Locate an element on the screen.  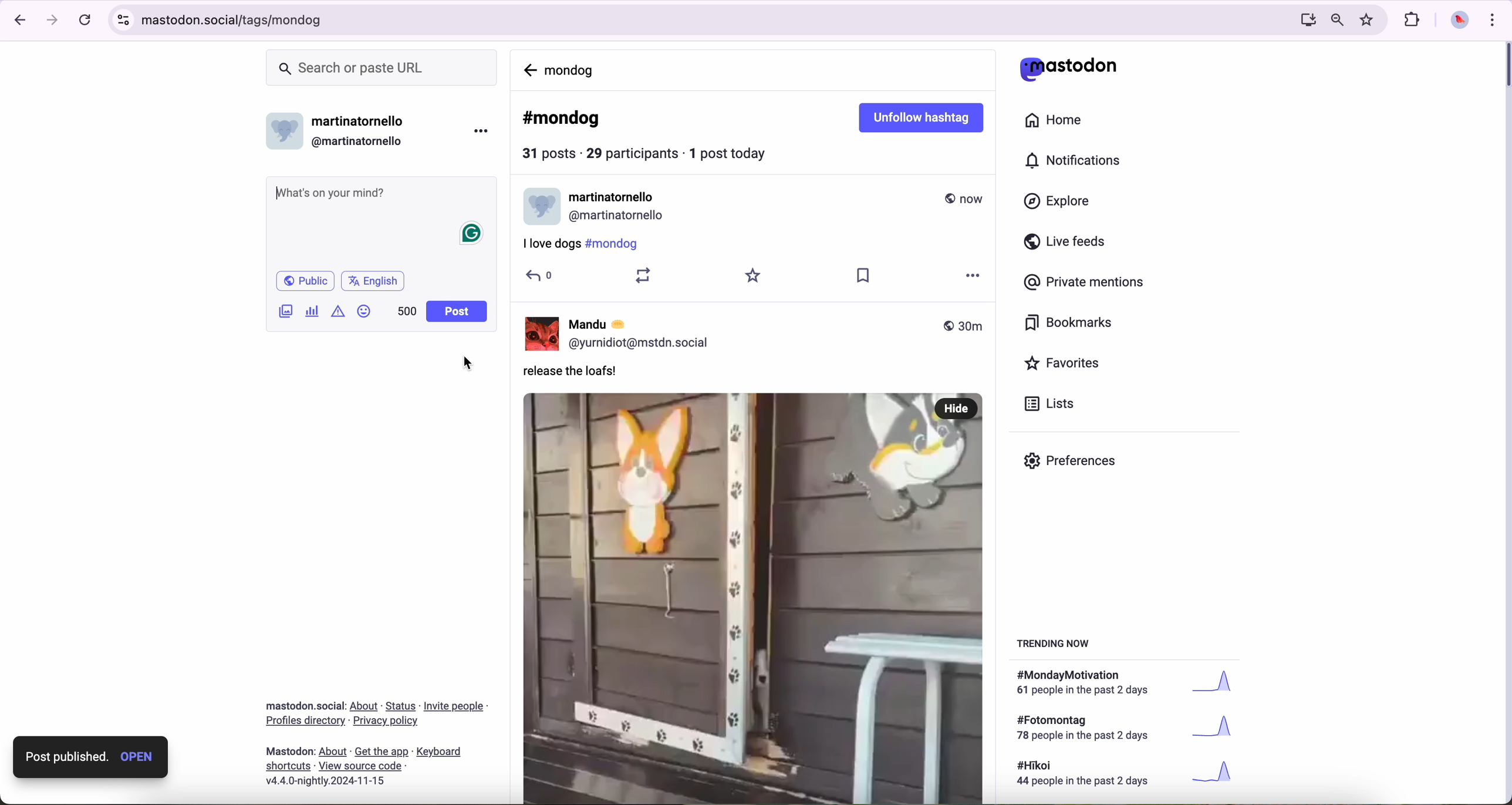
bookmarks is located at coordinates (1069, 323).